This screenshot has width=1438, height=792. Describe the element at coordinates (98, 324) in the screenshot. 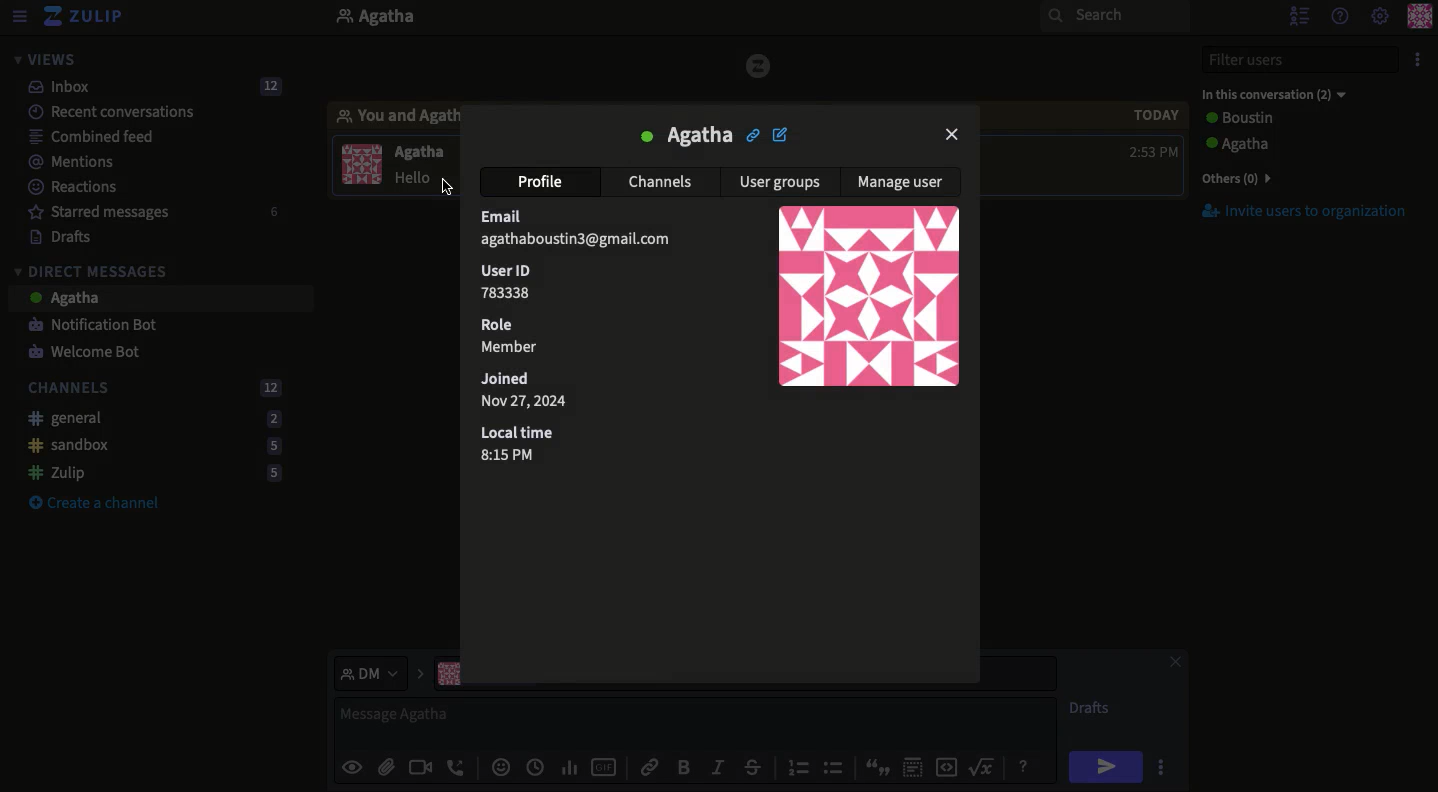

I see `Notification bot` at that location.